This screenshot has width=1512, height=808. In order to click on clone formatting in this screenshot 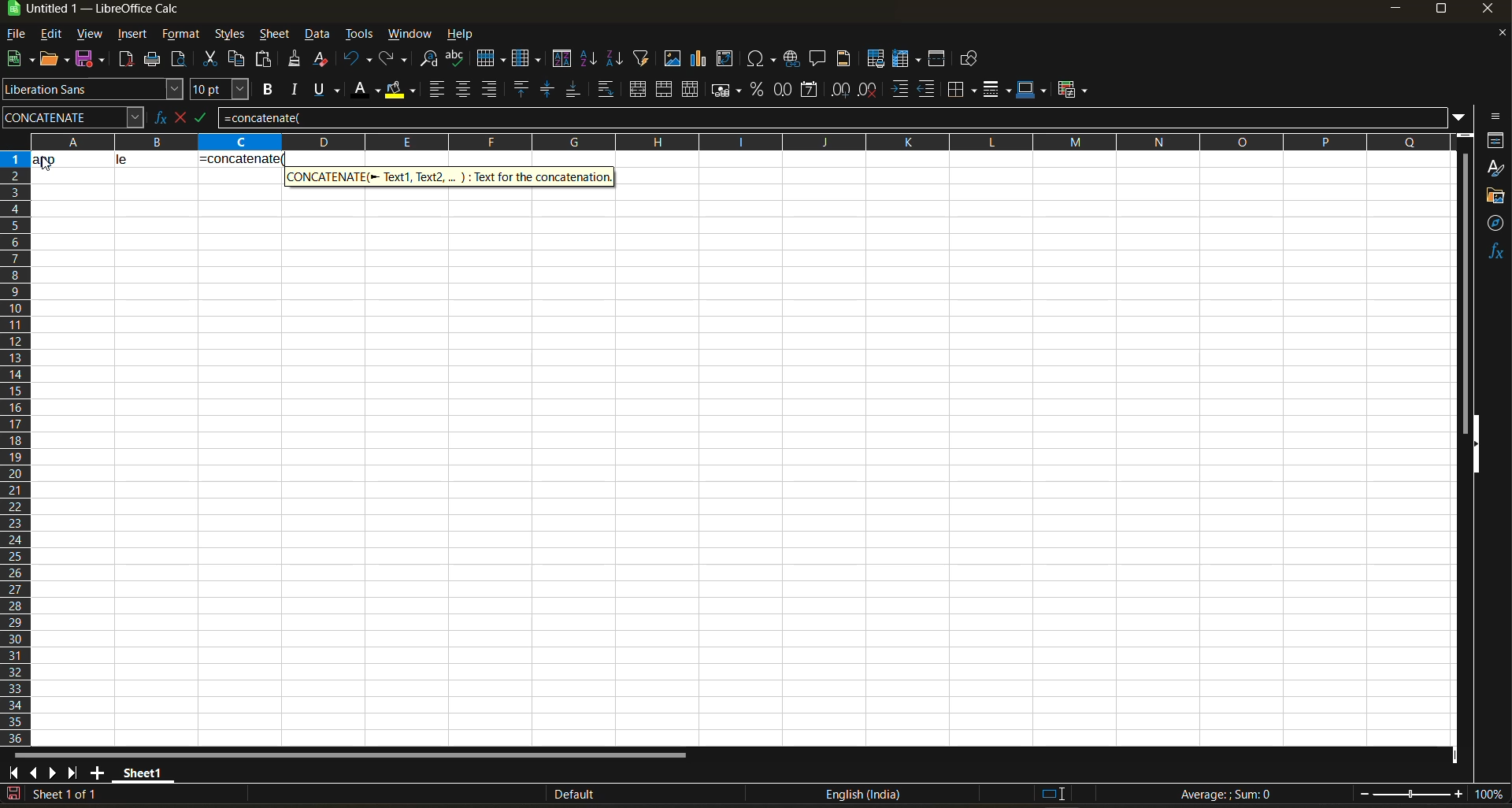, I will do `click(295, 61)`.